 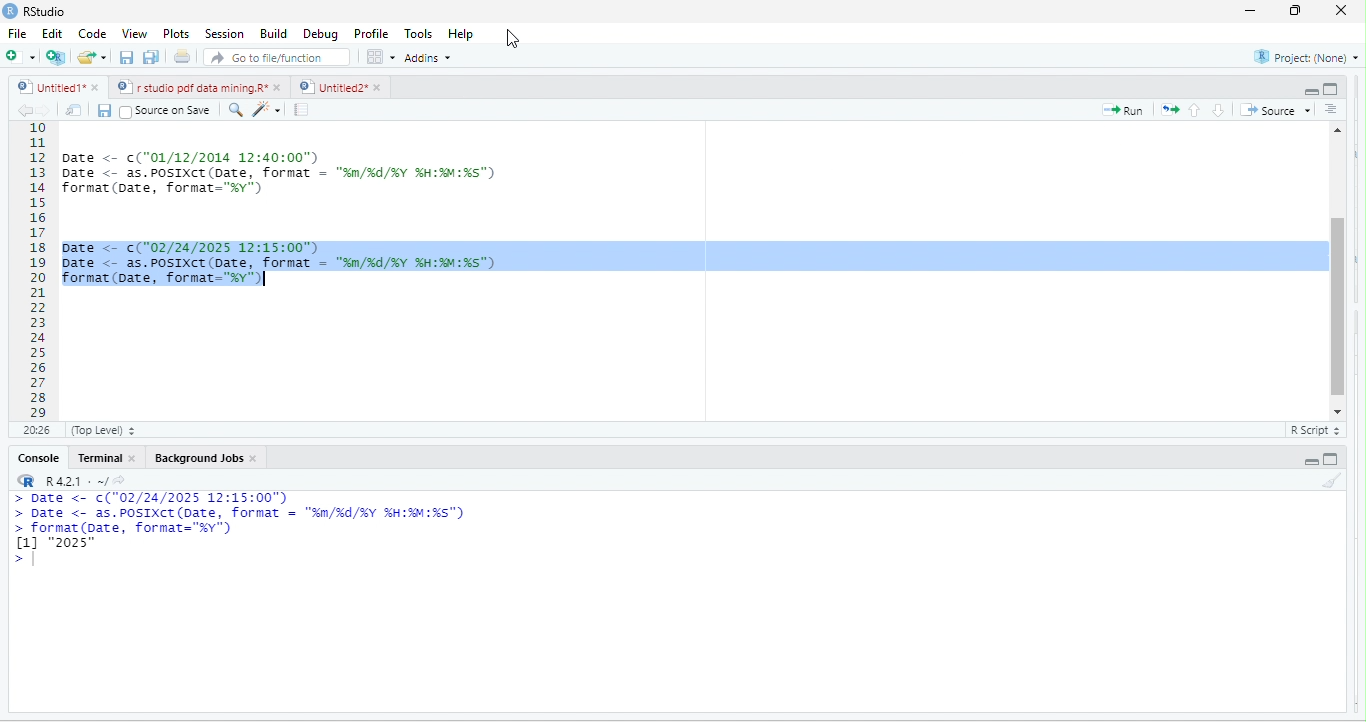 What do you see at coordinates (257, 461) in the screenshot?
I see `close` at bounding box center [257, 461].